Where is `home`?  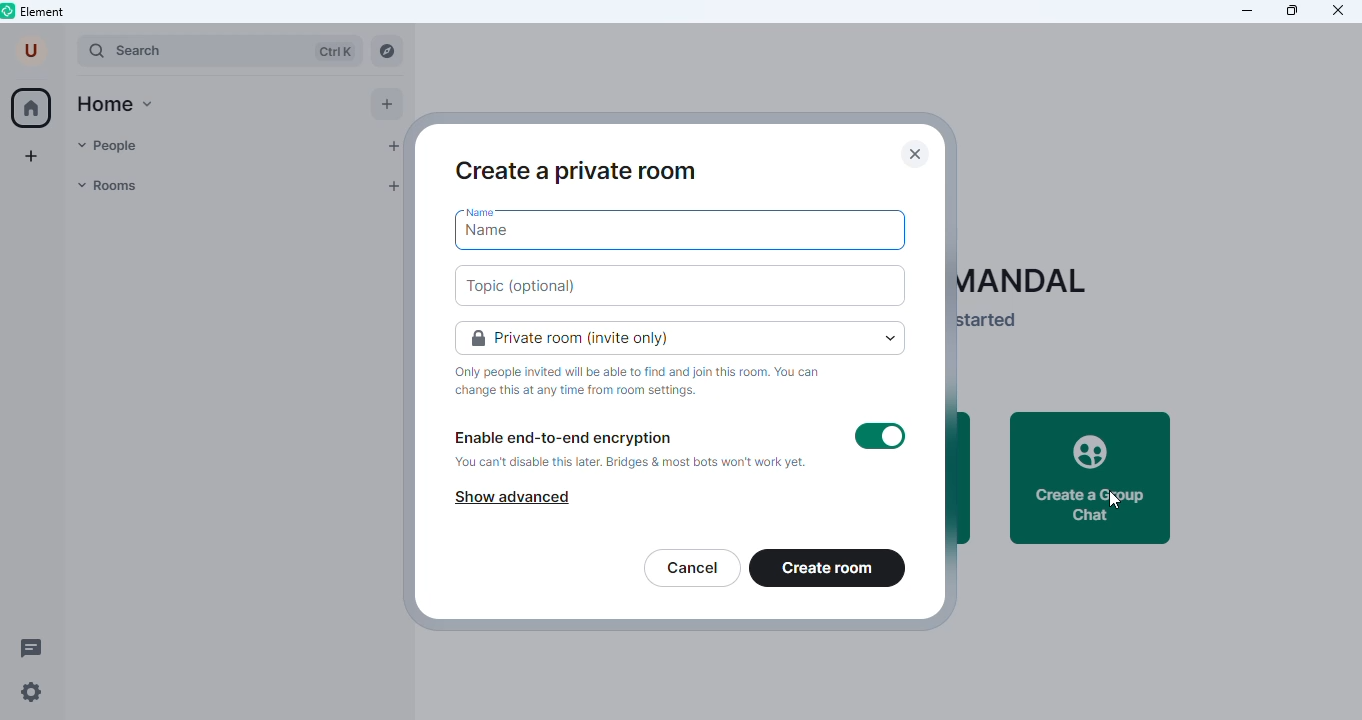 home is located at coordinates (31, 108).